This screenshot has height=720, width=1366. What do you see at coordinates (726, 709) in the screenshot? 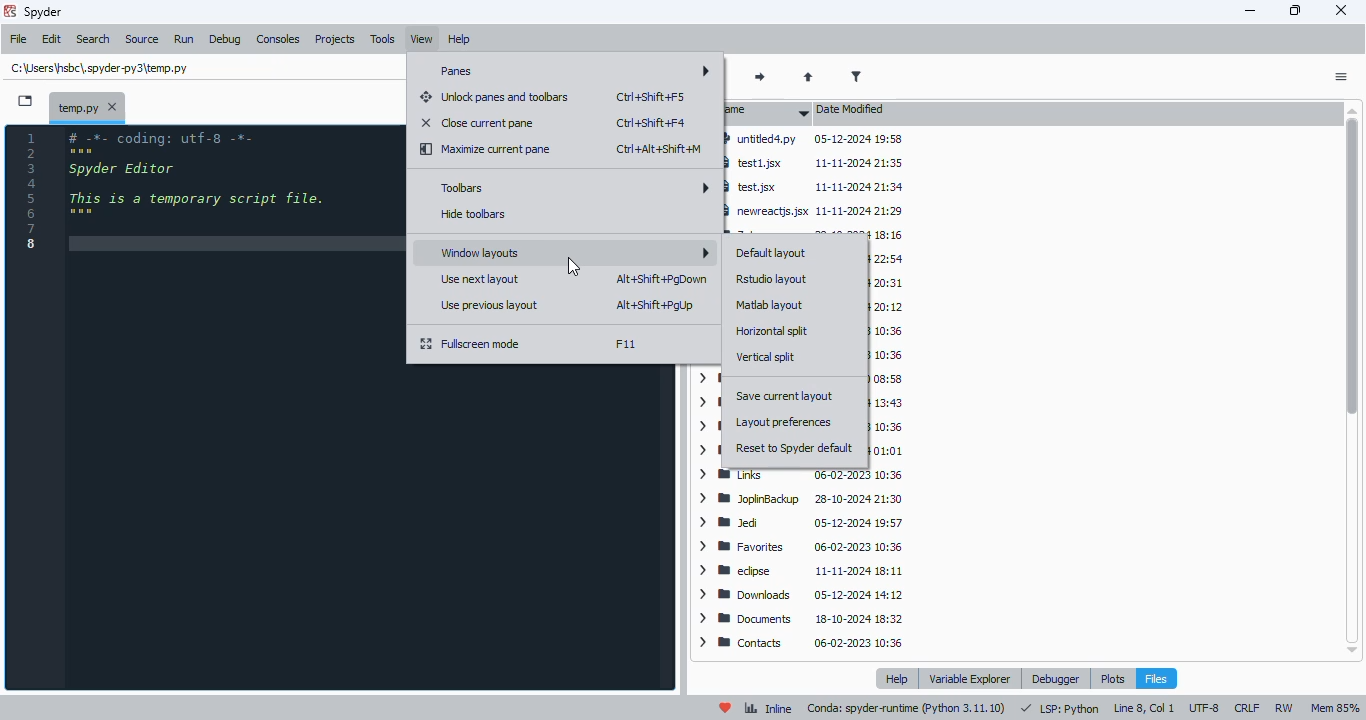
I see `help spyder!` at bounding box center [726, 709].